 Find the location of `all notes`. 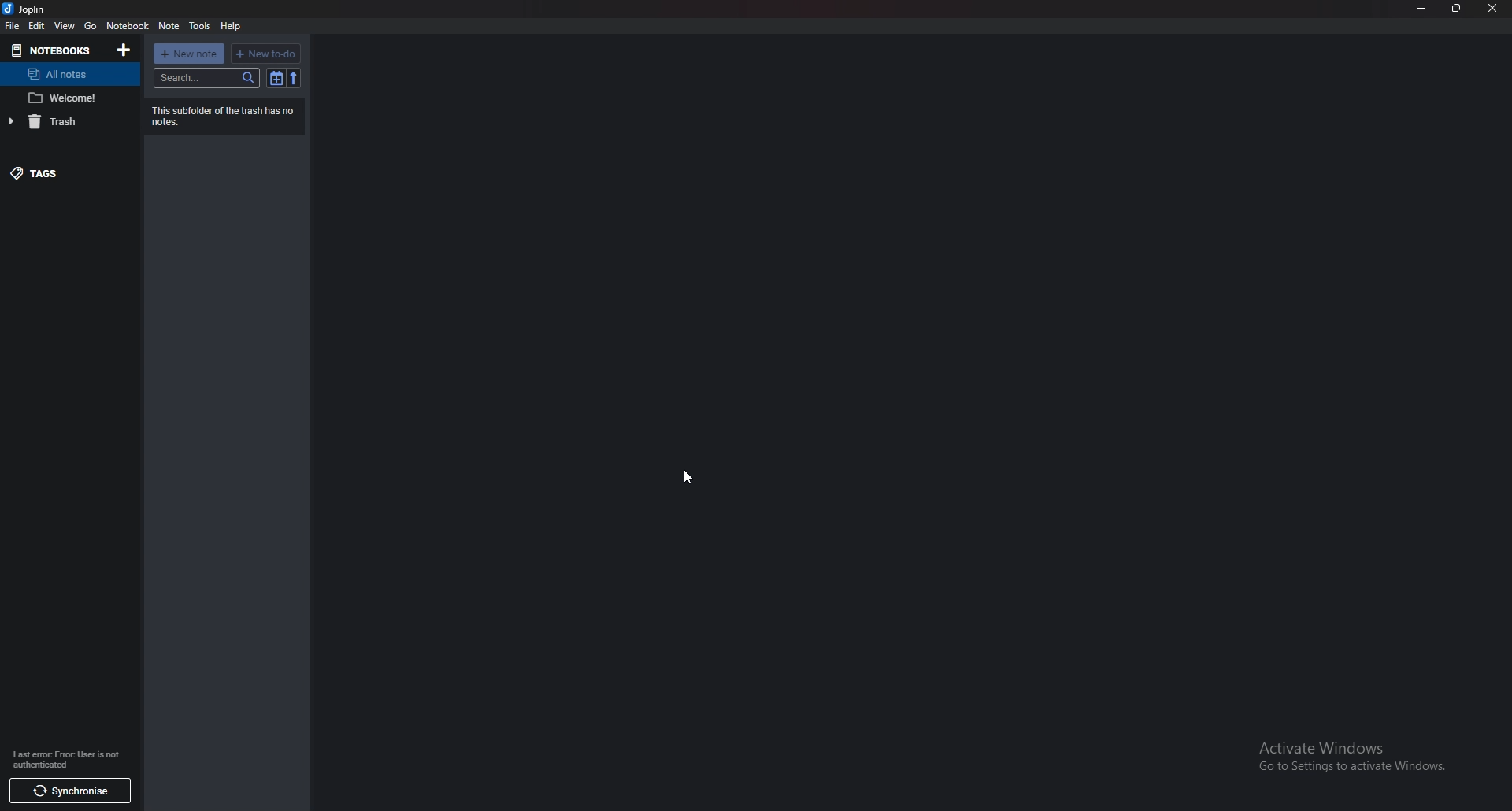

all notes is located at coordinates (67, 74).